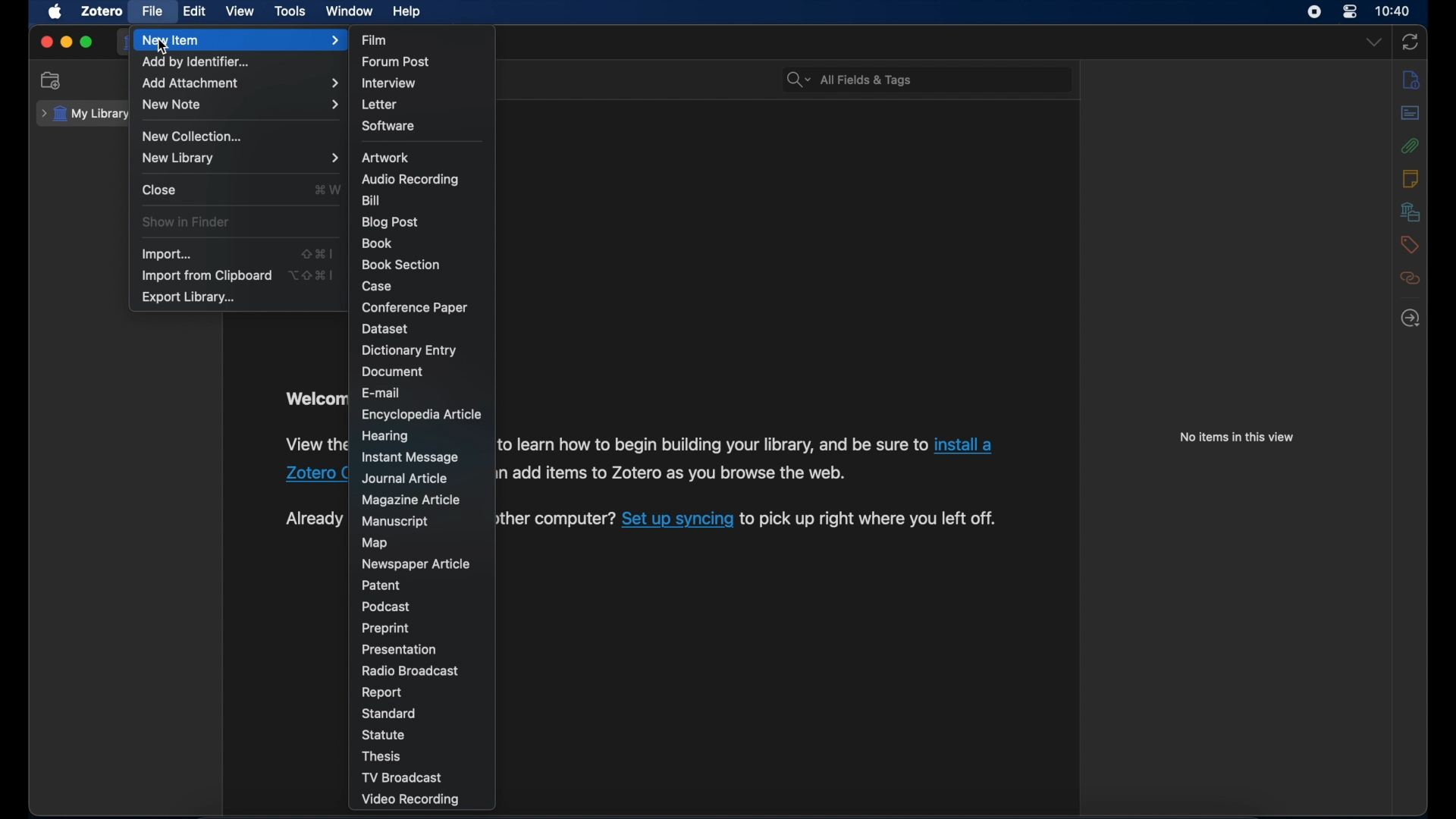 Image resolution: width=1456 pixels, height=819 pixels. What do you see at coordinates (1410, 43) in the screenshot?
I see `sync` at bounding box center [1410, 43].